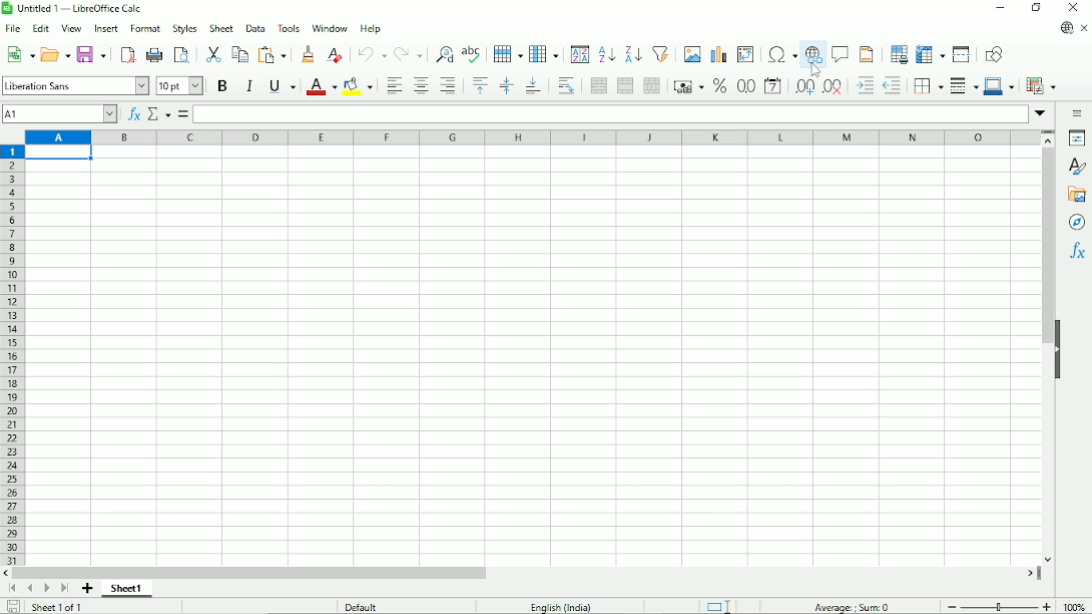 The width and height of the screenshot is (1092, 614). I want to click on Border color, so click(999, 87).